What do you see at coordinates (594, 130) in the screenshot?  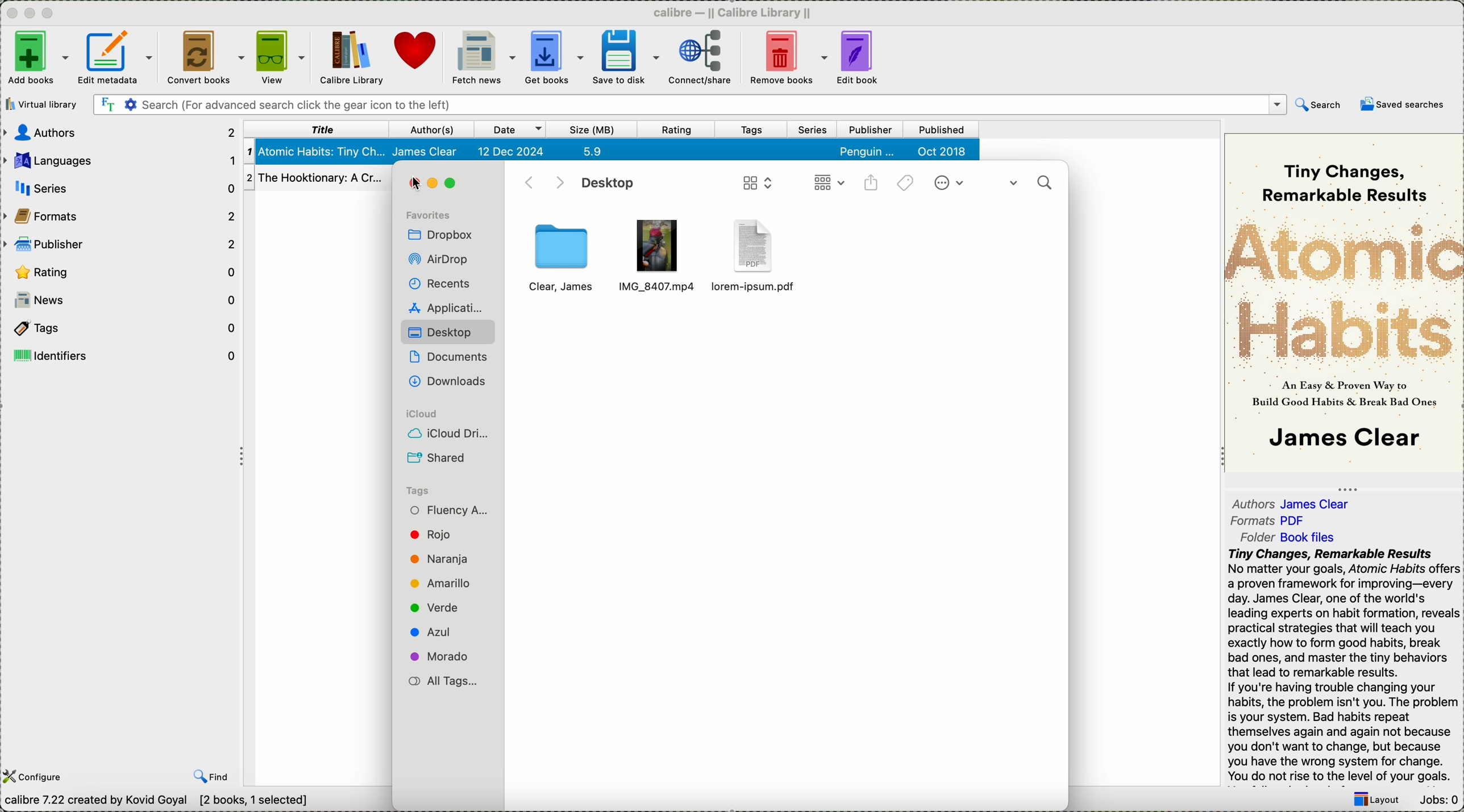 I see `size` at bounding box center [594, 130].